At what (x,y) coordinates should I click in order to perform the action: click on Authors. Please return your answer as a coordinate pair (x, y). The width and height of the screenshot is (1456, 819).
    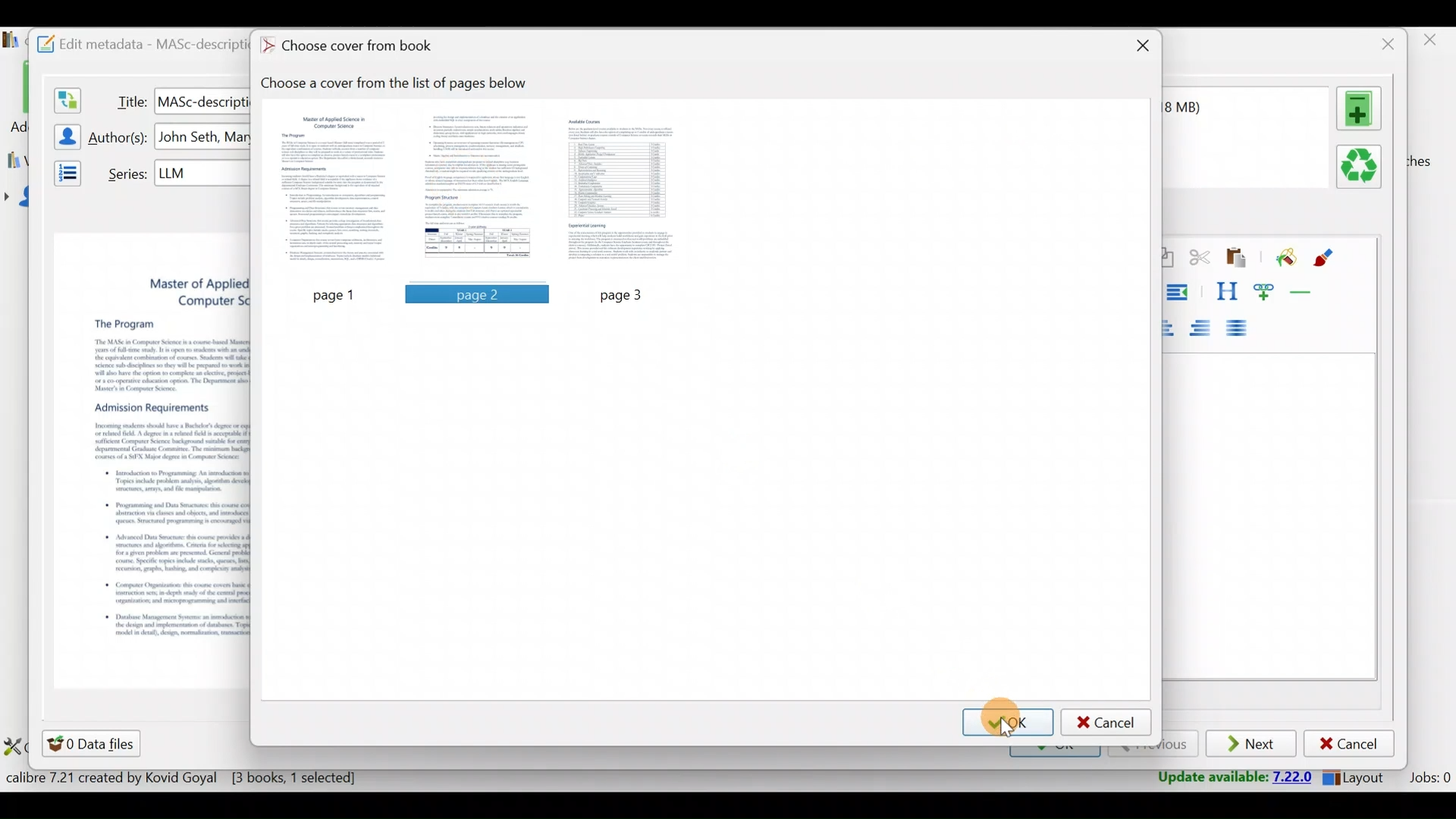
    Looking at the image, I should click on (120, 138).